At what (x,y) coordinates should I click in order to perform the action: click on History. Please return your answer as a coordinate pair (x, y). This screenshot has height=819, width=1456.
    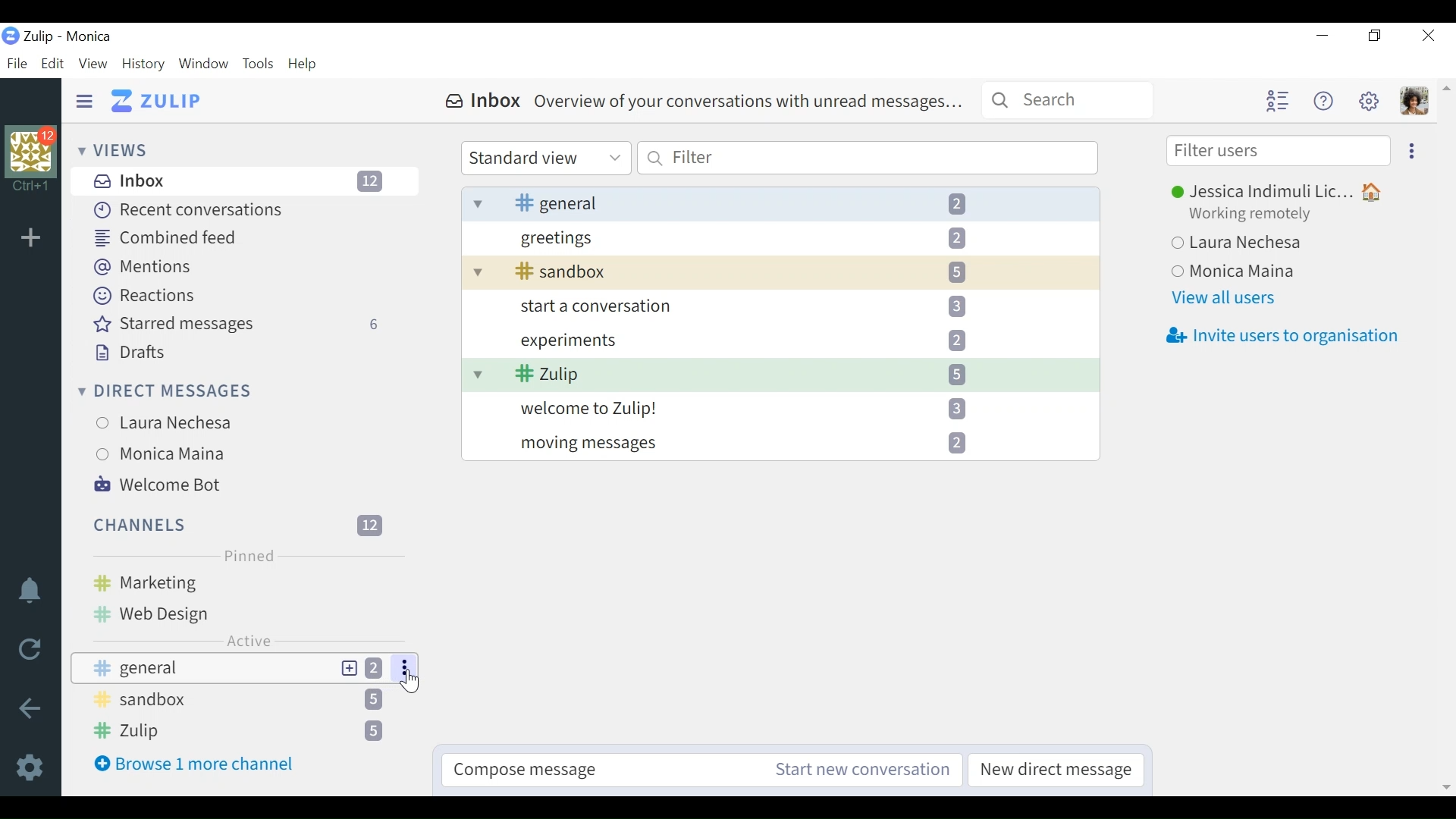
    Looking at the image, I should click on (144, 64).